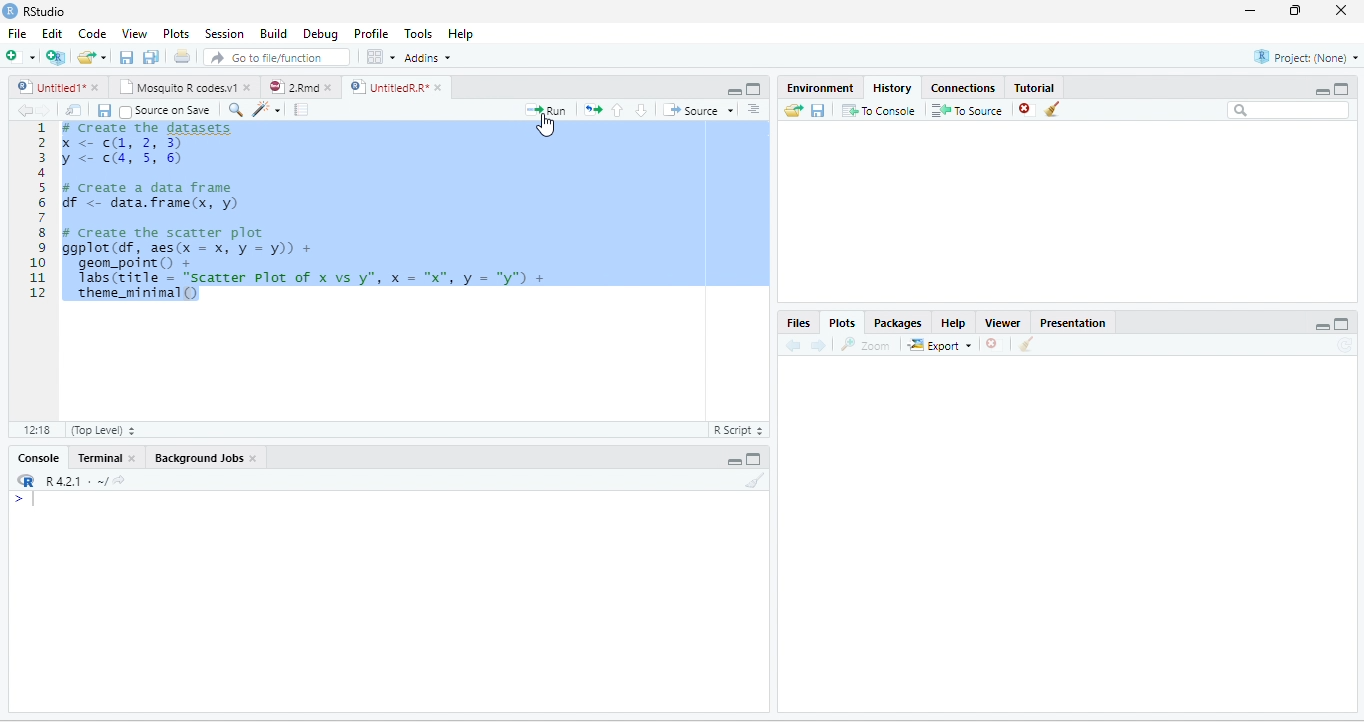  Describe the element at coordinates (104, 111) in the screenshot. I see `Save current document` at that location.